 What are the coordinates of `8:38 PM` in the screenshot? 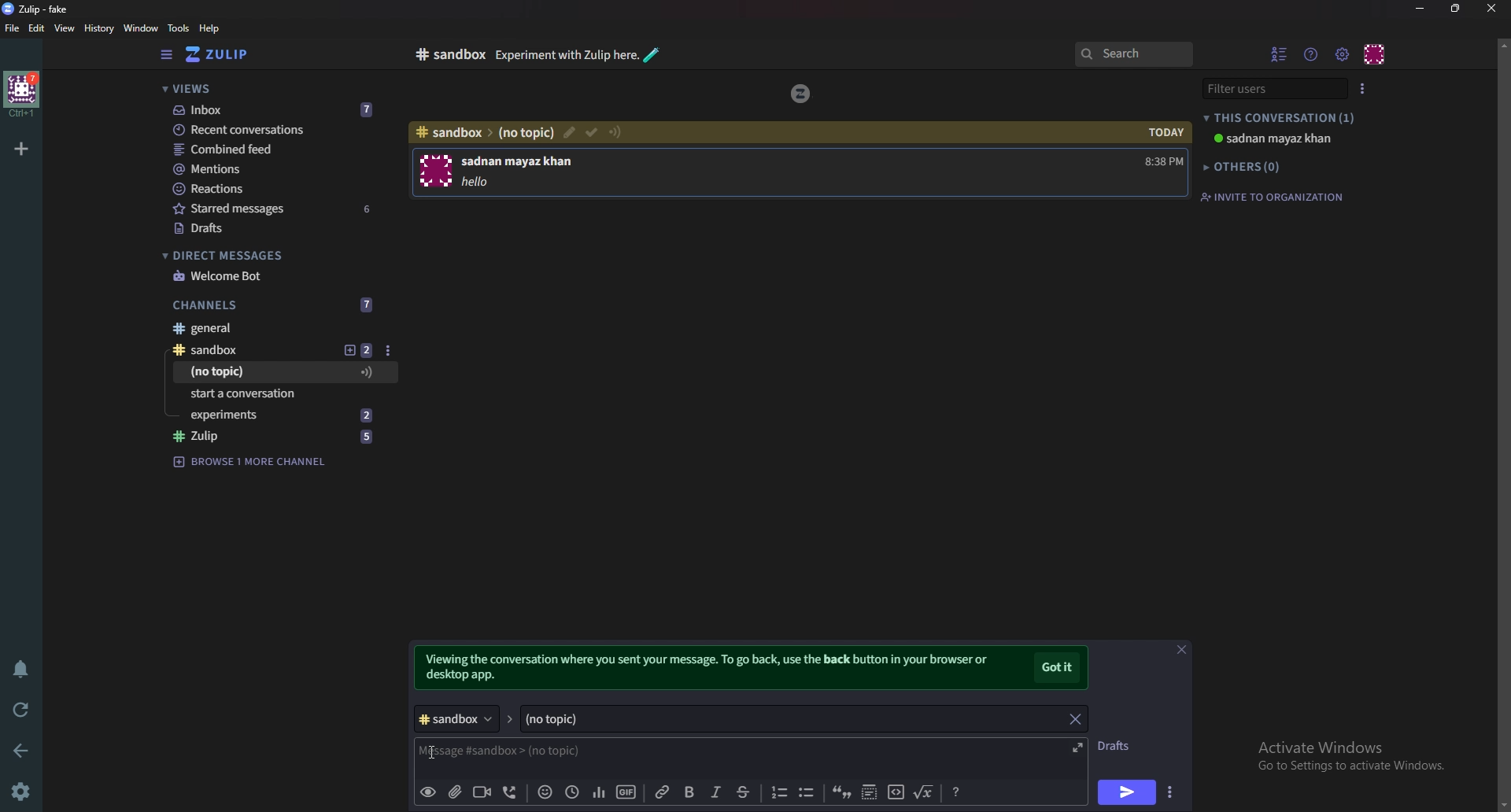 It's located at (1160, 161).